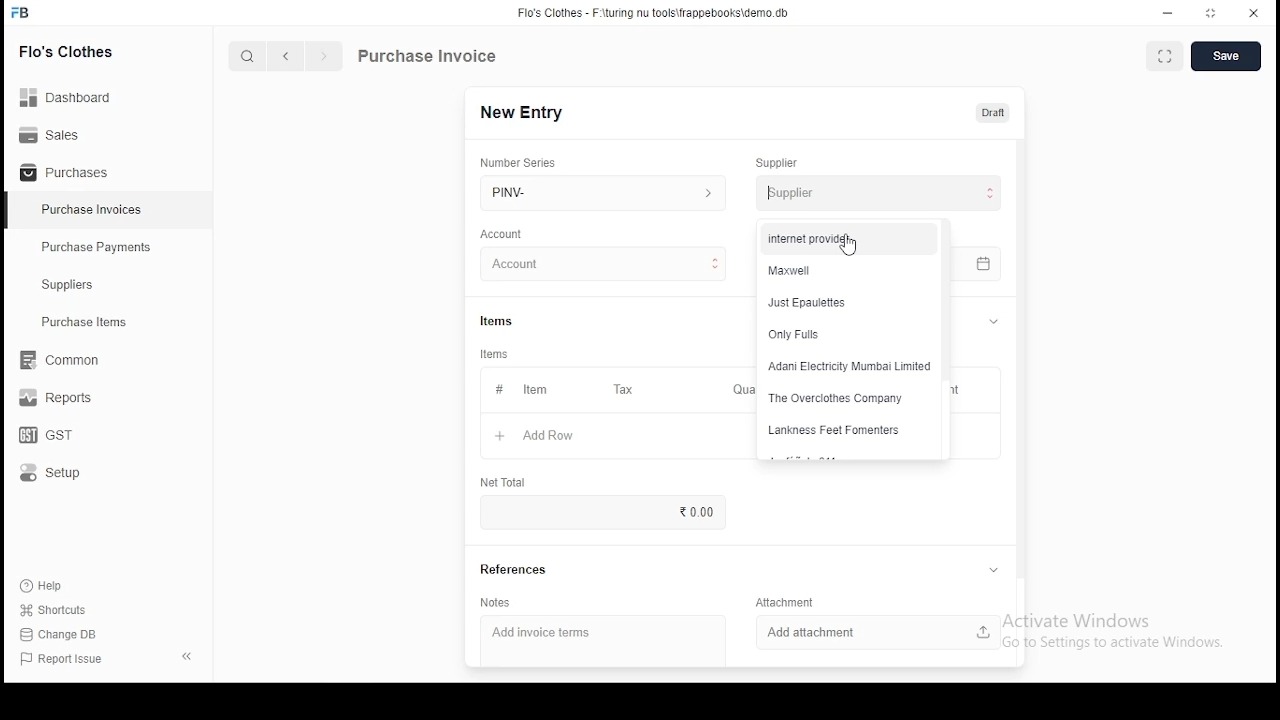 This screenshot has height=720, width=1280. What do you see at coordinates (623, 390) in the screenshot?
I see `tax` at bounding box center [623, 390].